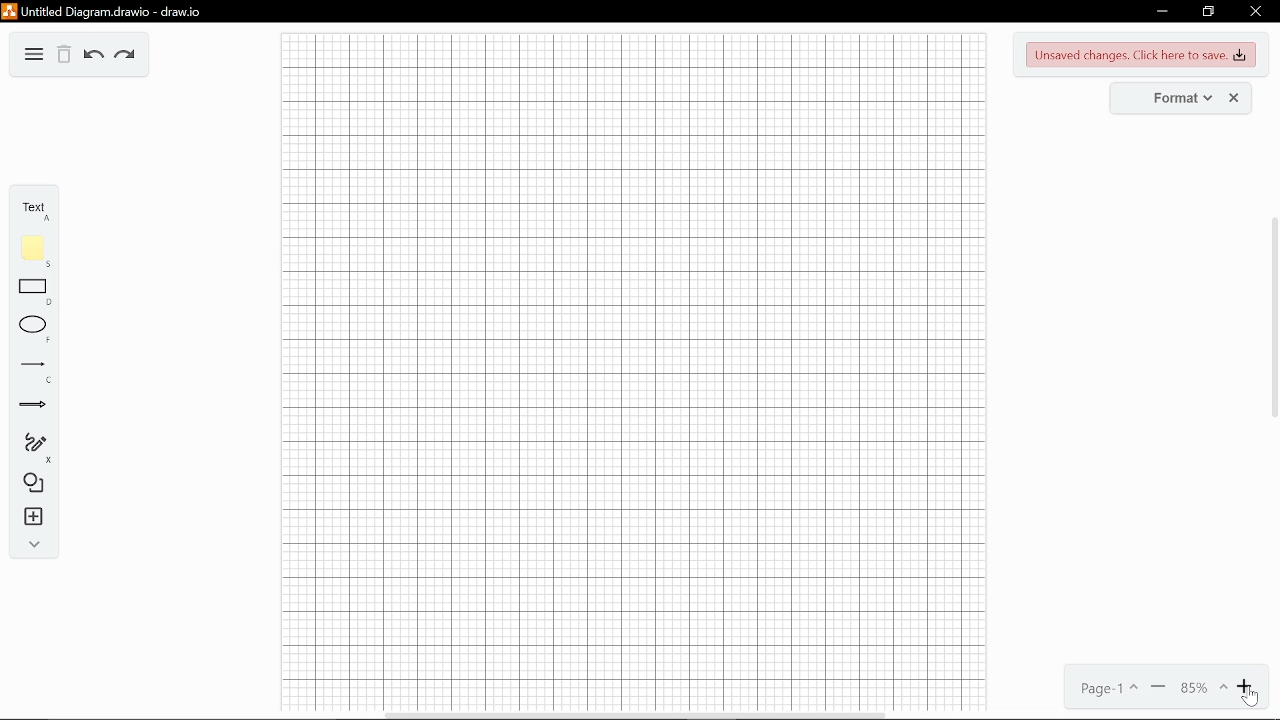 This screenshot has width=1280, height=720. Describe the element at coordinates (66, 55) in the screenshot. I see `delete` at that location.